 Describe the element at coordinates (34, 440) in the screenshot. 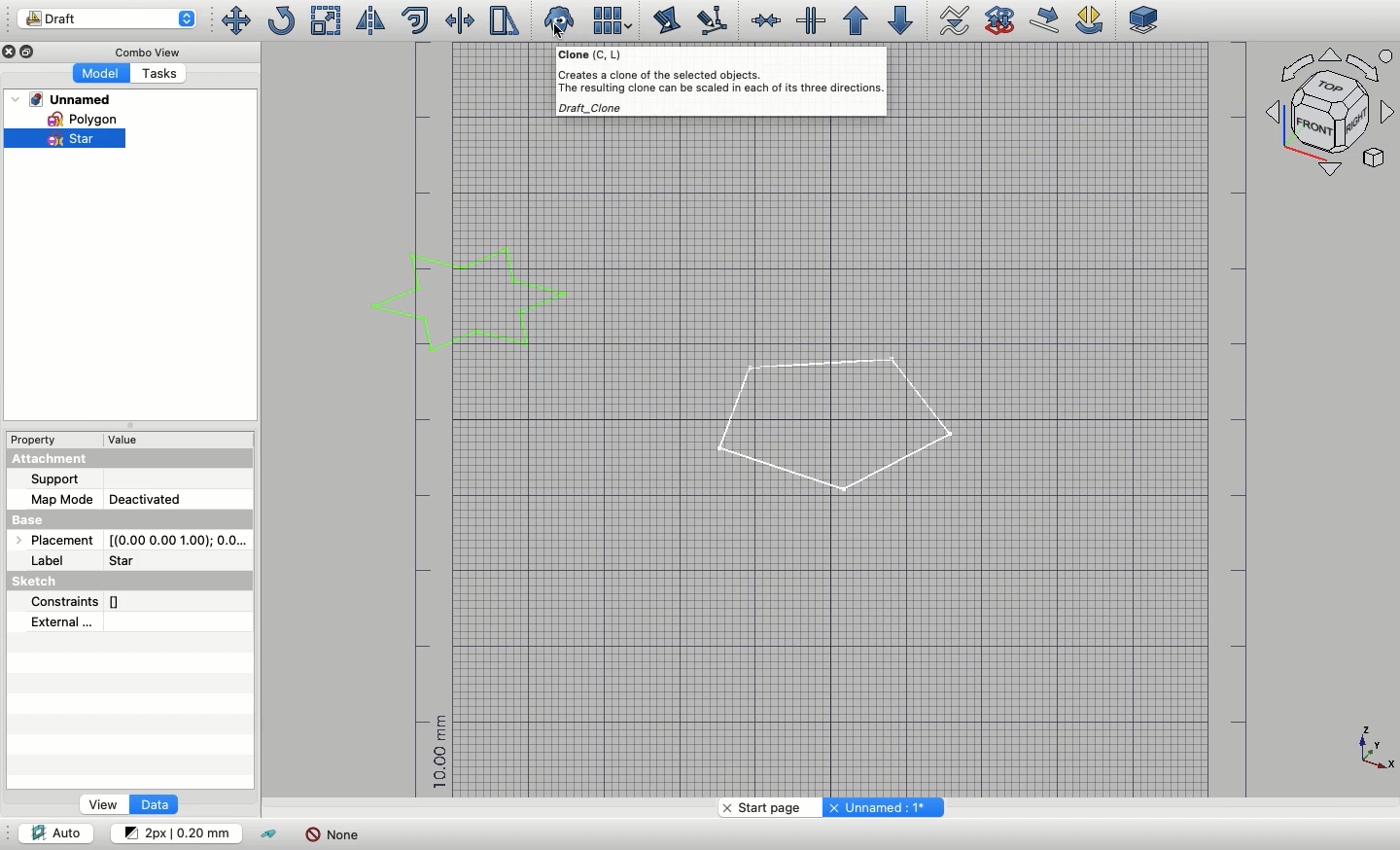

I see `Property` at that location.